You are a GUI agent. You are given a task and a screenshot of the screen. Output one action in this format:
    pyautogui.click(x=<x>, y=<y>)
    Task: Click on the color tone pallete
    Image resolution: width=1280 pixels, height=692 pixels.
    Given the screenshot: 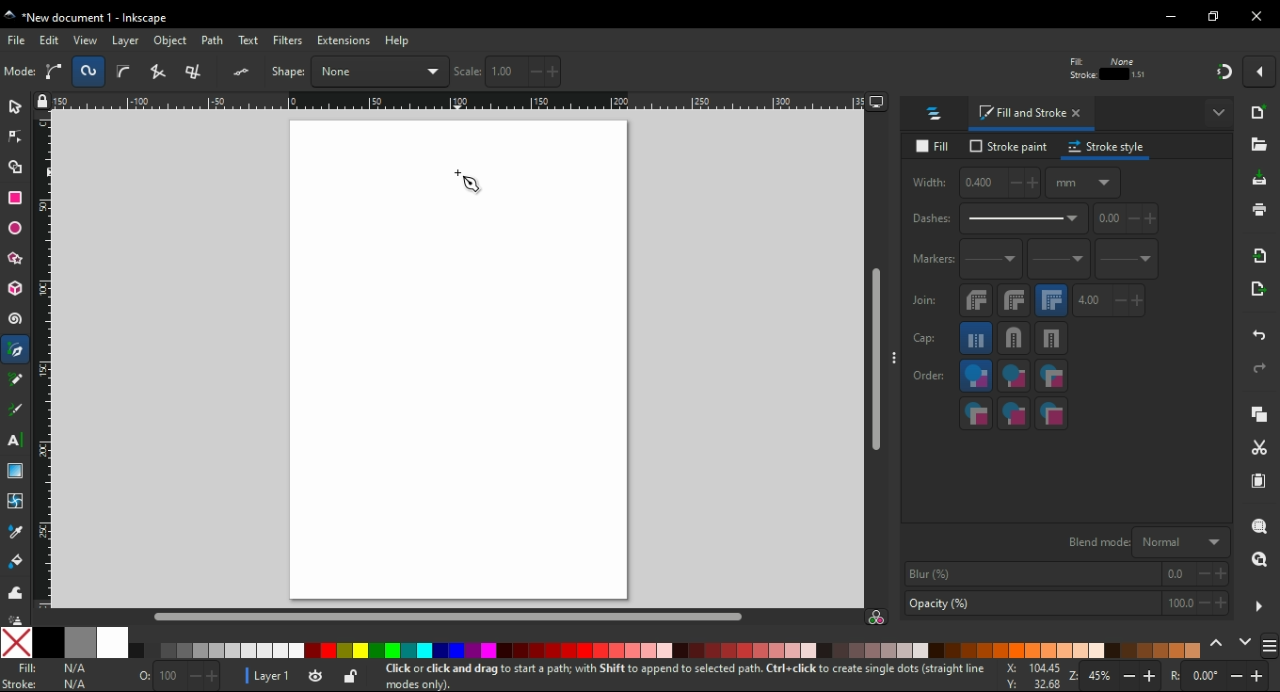 What is the action you would take?
    pyautogui.click(x=761, y=650)
    